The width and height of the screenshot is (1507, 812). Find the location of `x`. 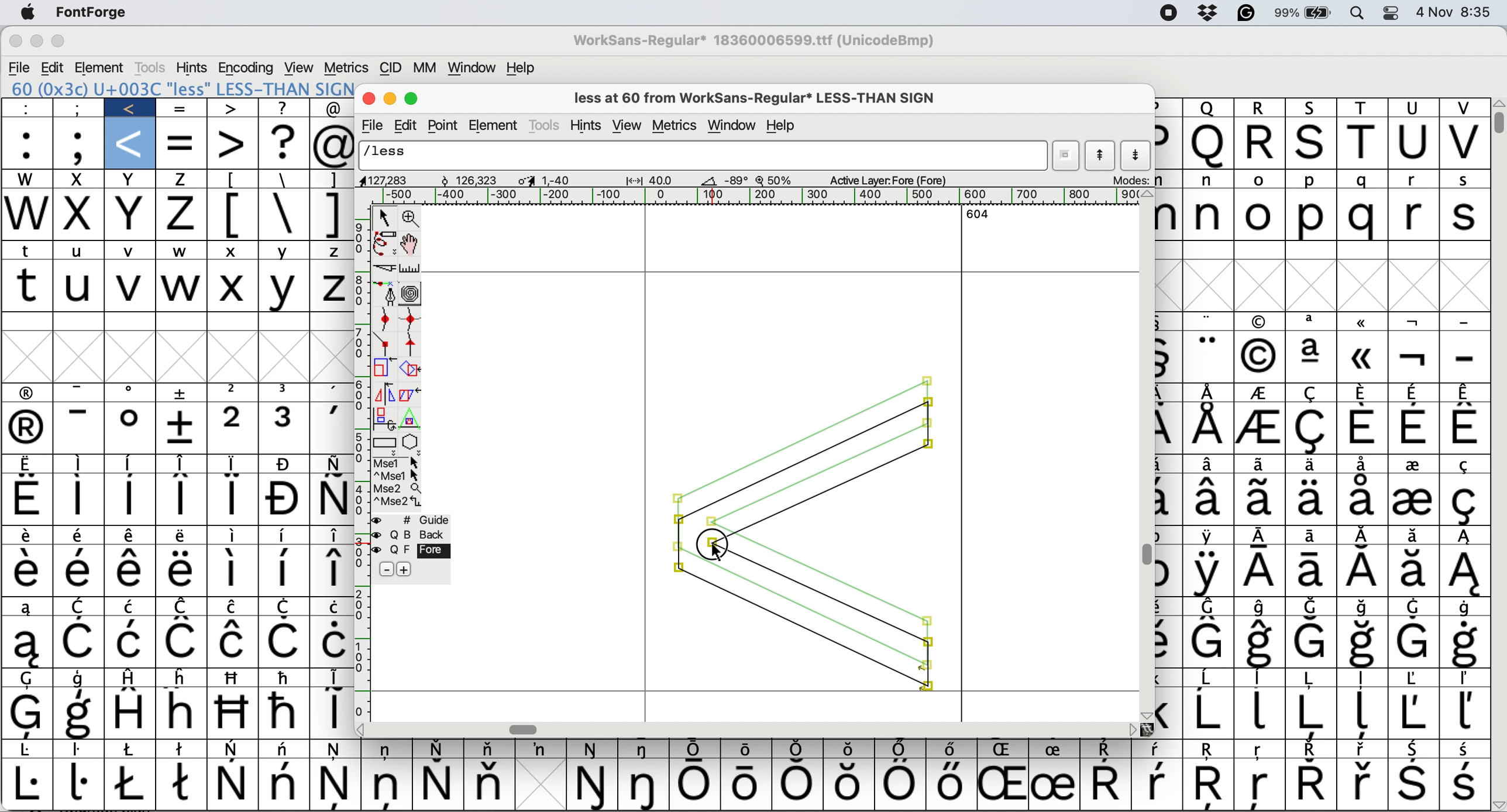

x is located at coordinates (80, 215).